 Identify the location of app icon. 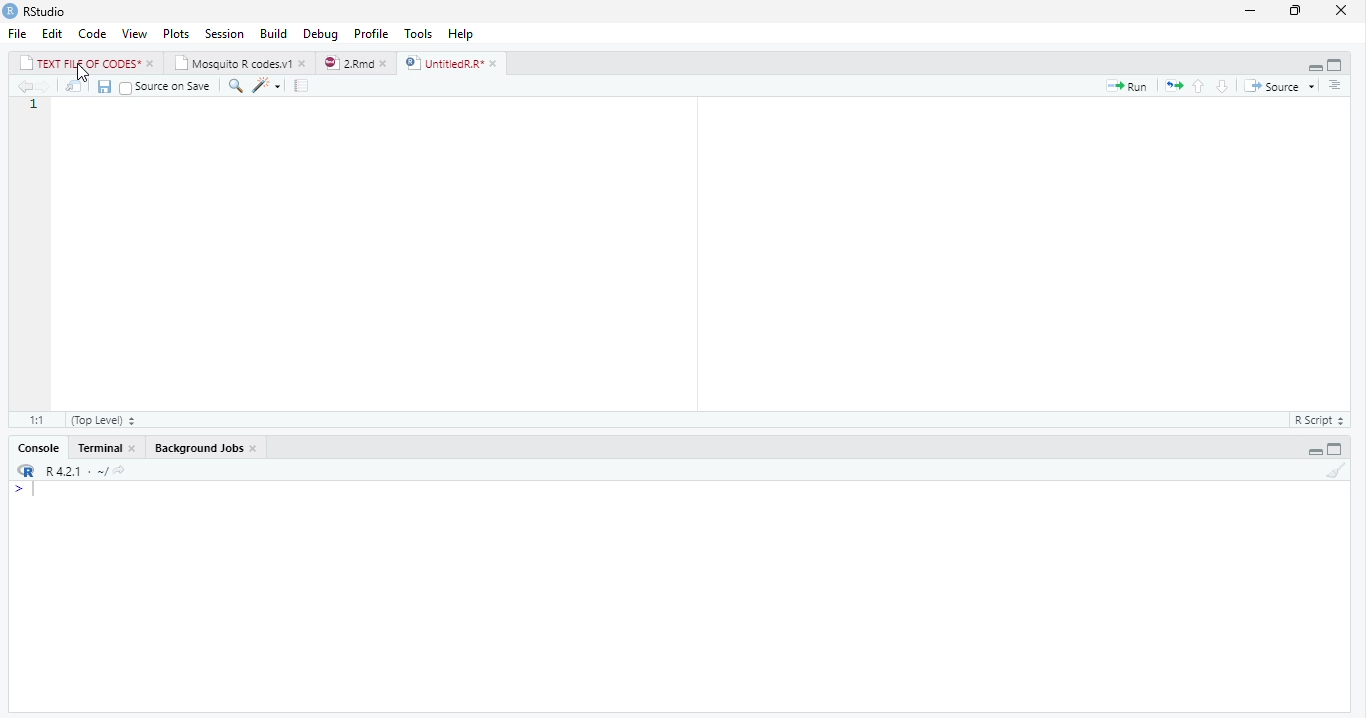
(10, 10).